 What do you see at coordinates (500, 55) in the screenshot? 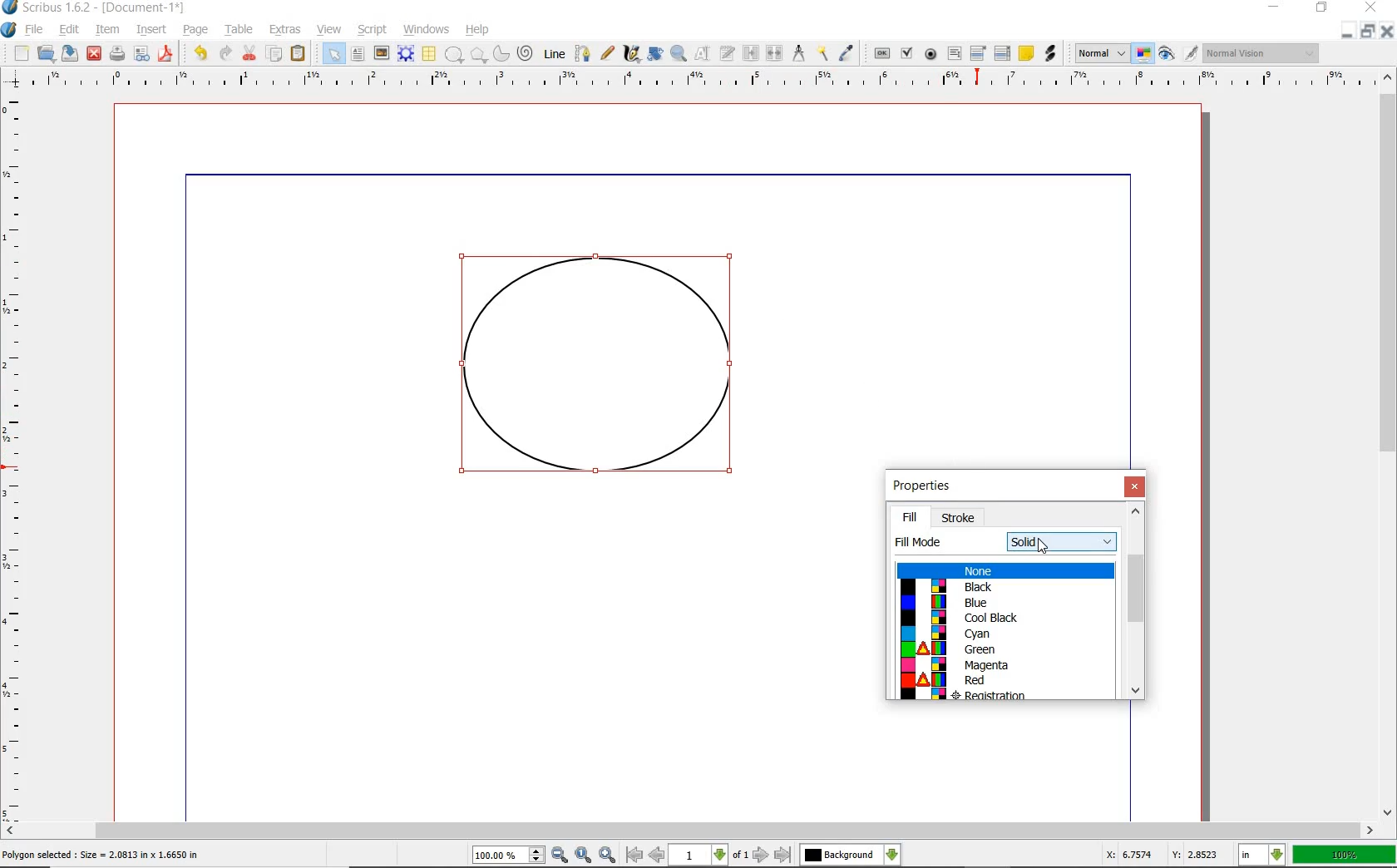
I see `ARC` at bounding box center [500, 55].